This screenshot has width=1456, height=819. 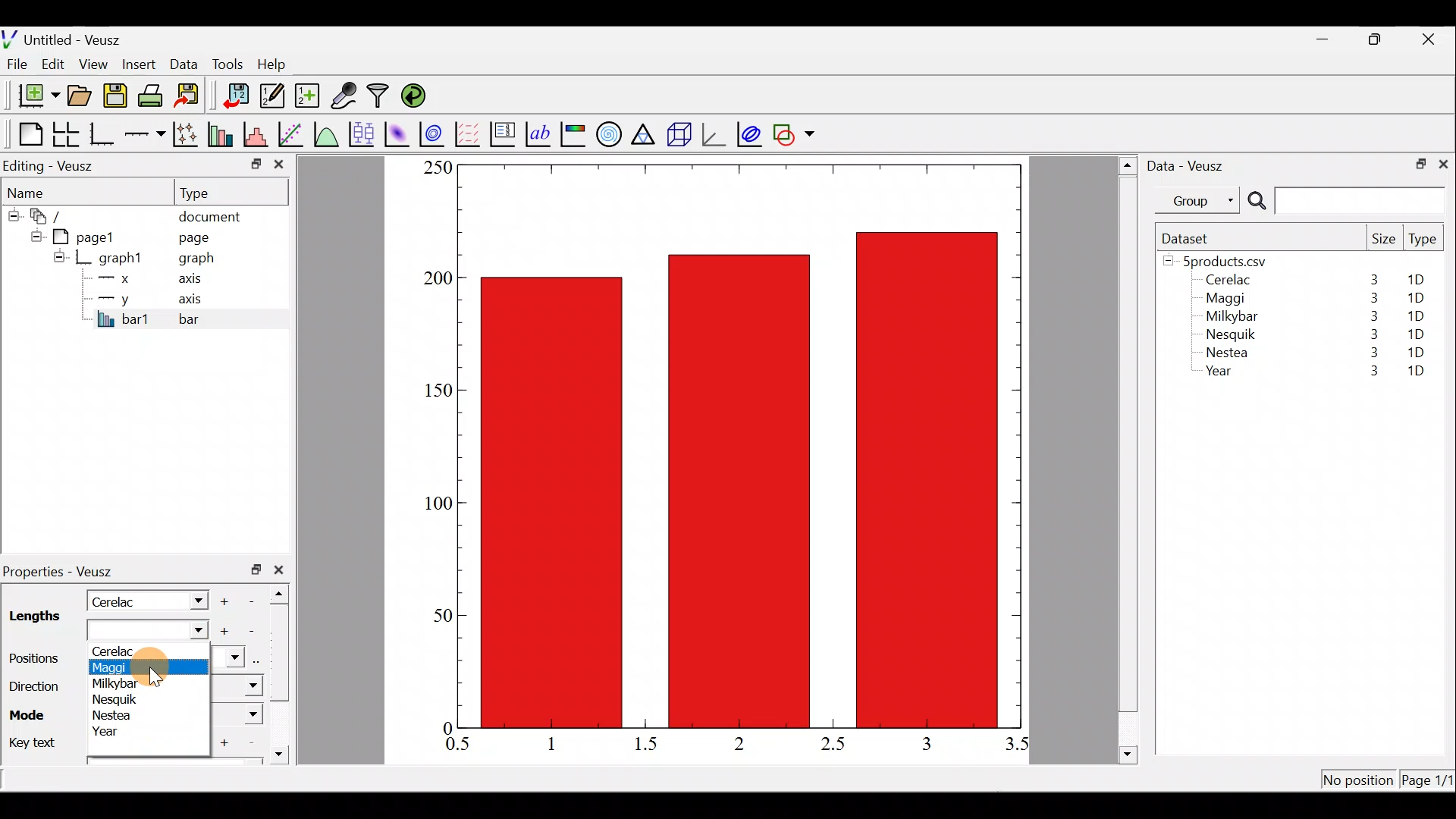 What do you see at coordinates (751, 133) in the screenshot?
I see `plot covariance ellipses` at bounding box center [751, 133].